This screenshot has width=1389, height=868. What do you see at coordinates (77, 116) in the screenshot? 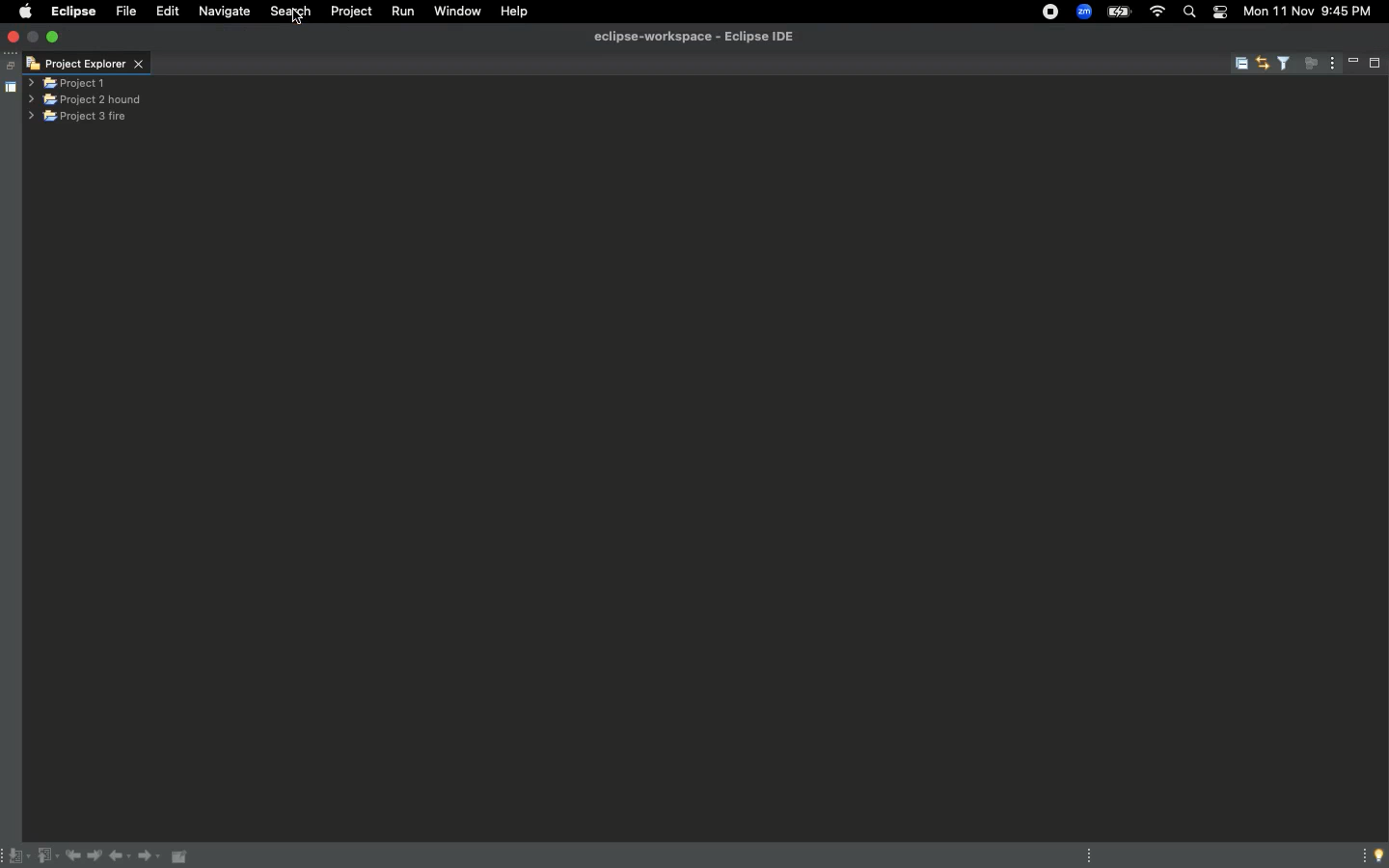
I see `Project 3 fire` at bounding box center [77, 116].